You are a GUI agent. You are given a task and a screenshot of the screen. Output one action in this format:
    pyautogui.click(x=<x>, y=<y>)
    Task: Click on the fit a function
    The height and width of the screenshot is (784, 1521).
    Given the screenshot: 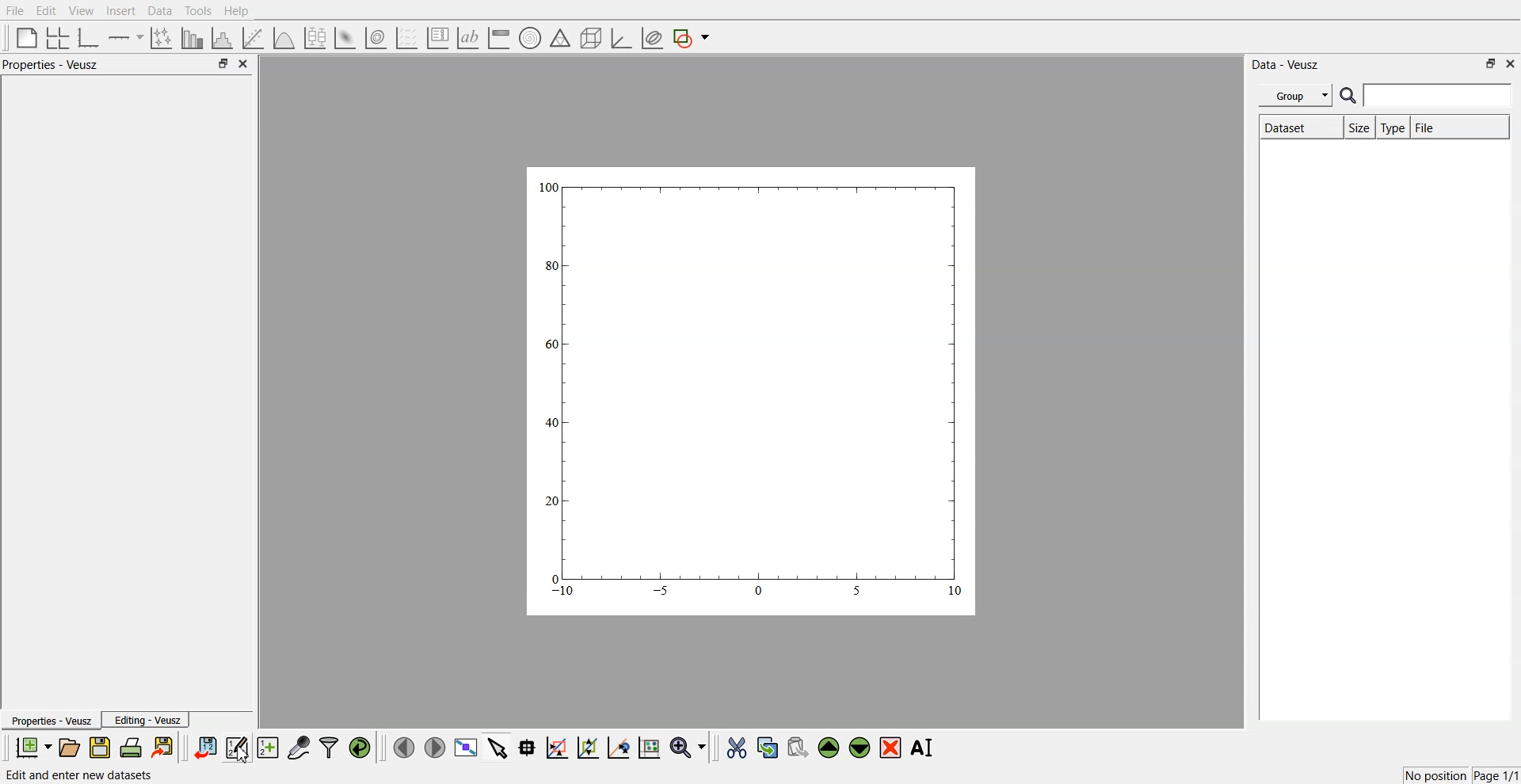 What is the action you would take?
    pyautogui.click(x=254, y=36)
    